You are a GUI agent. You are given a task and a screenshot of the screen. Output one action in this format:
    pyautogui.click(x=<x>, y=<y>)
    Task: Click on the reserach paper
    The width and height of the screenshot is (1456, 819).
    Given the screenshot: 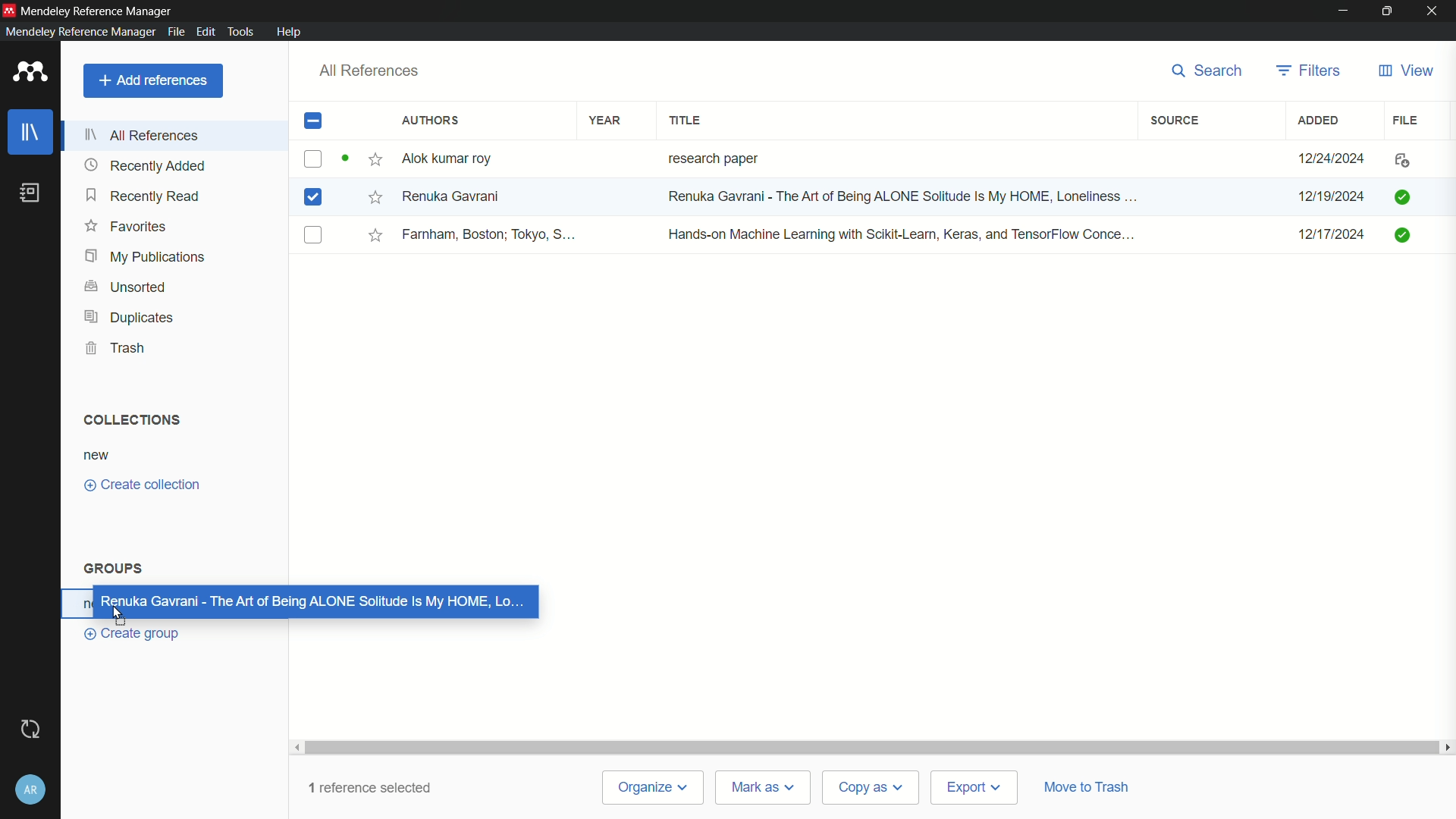 What is the action you would take?
    pyautogui.click(x=710, y=155)
    